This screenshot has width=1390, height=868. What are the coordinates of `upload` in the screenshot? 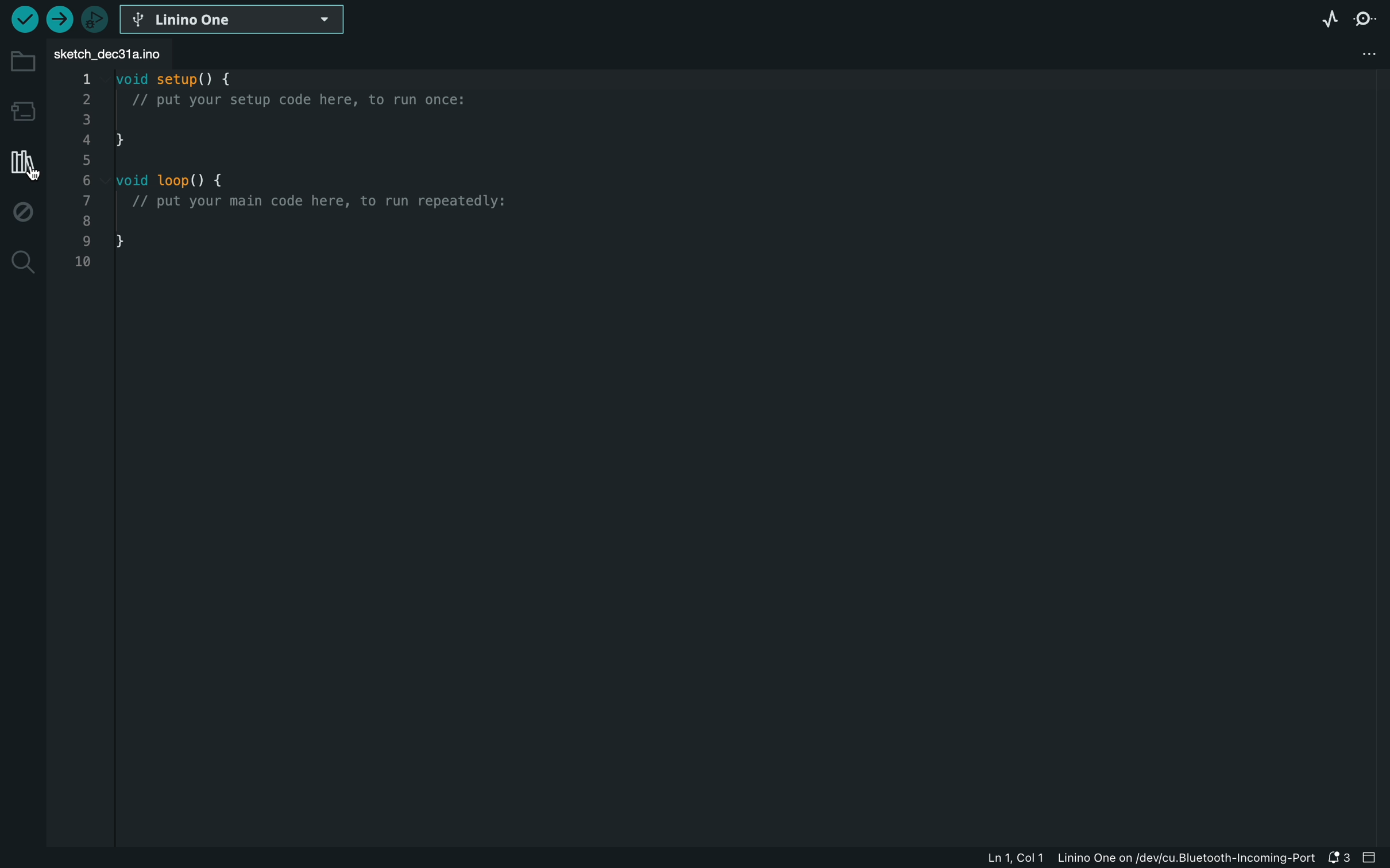 It's located at (60, 19).